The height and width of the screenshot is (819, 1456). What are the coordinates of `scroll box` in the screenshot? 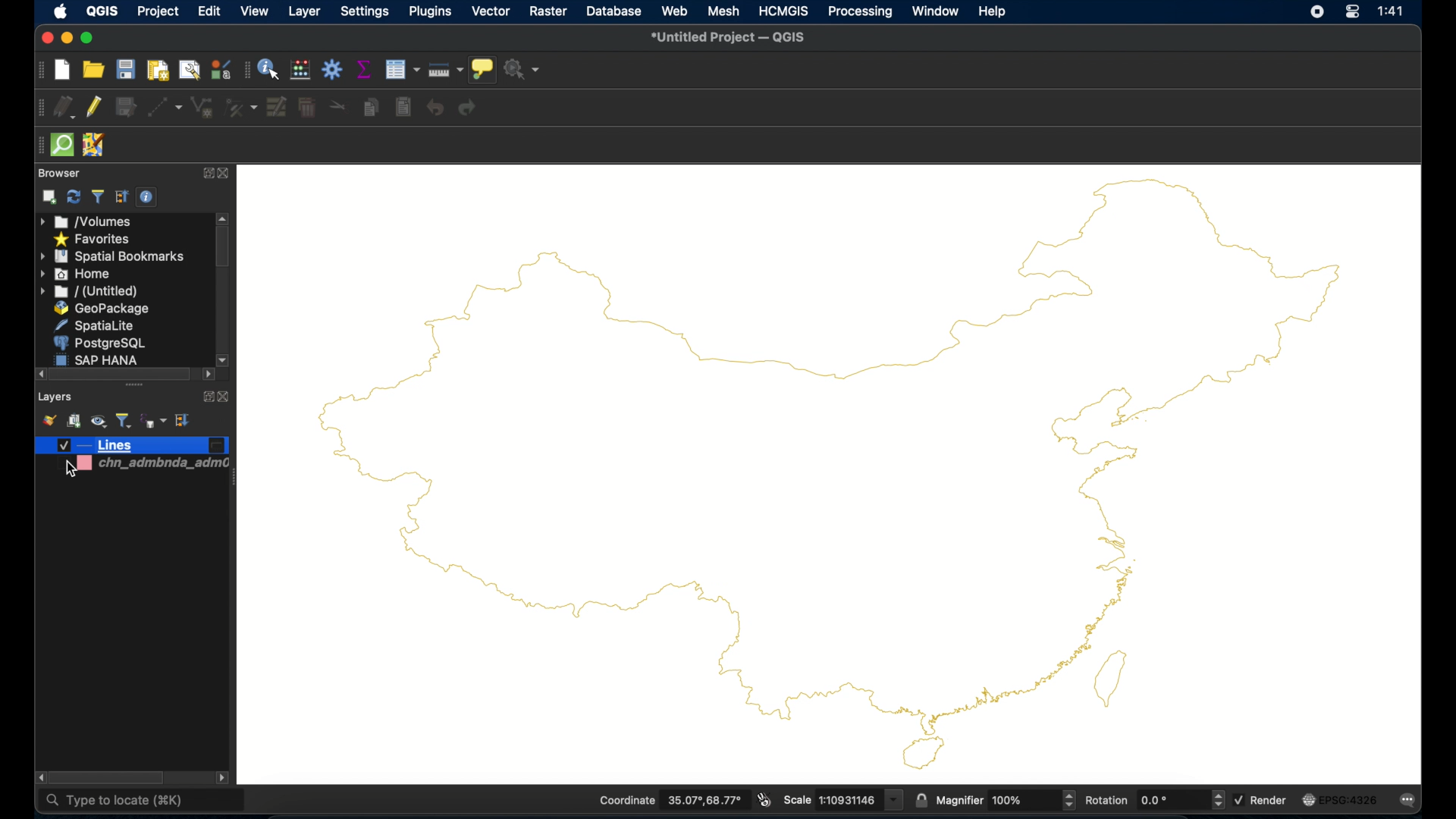 It's located at (222, 249).